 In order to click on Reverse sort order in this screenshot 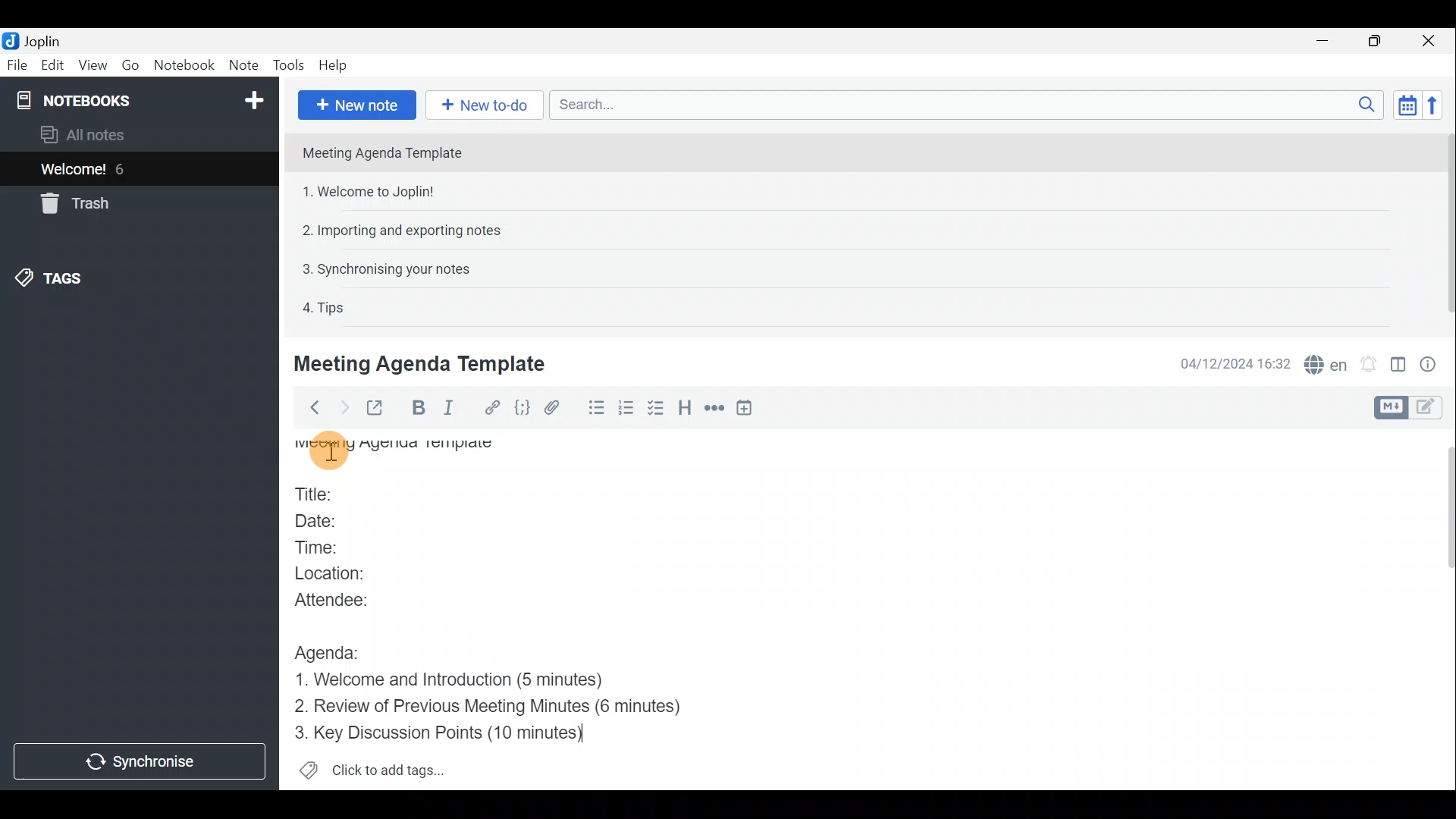, I will do `click(1432, 105)`.